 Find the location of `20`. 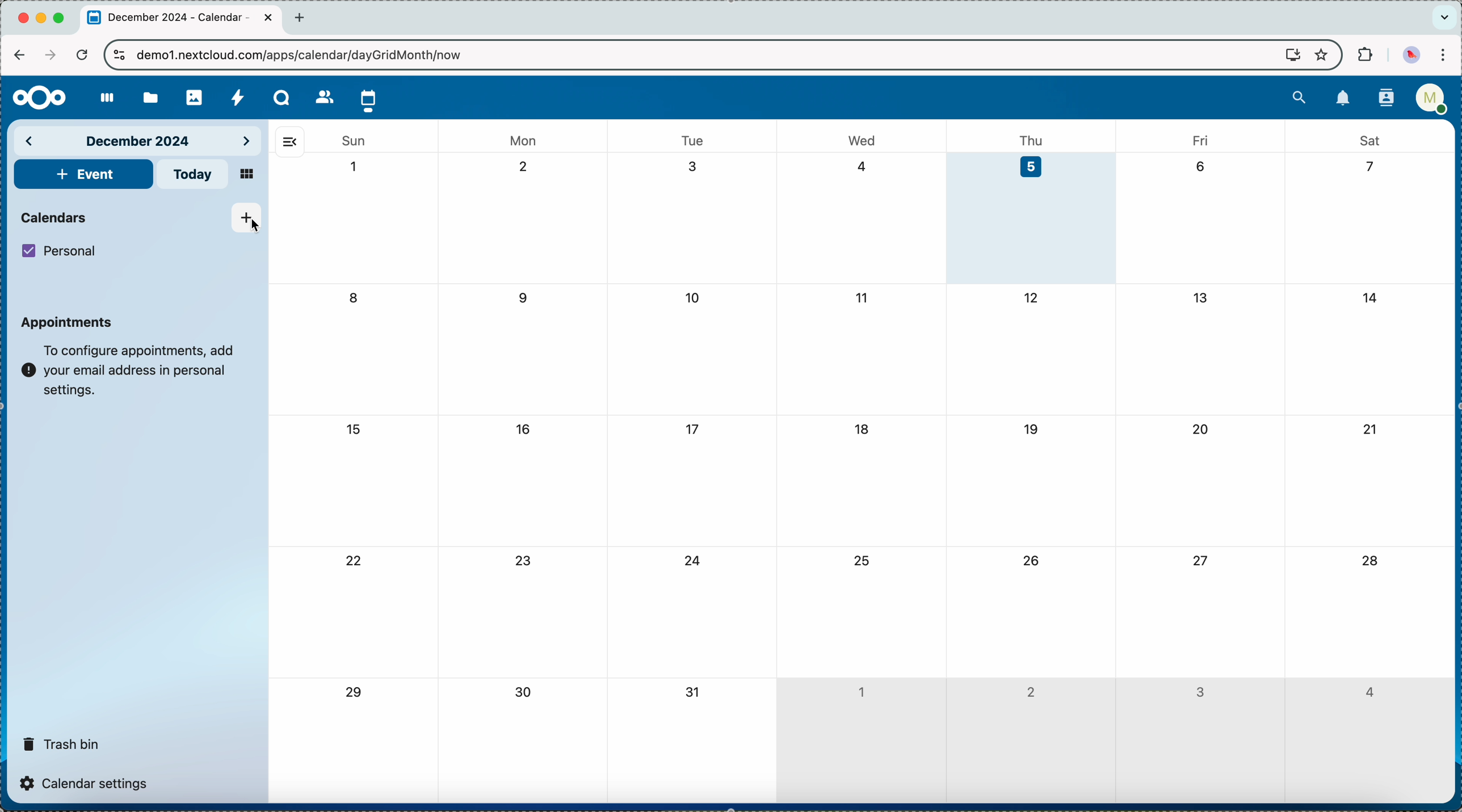

20 is located at coordinates (1201, 429).